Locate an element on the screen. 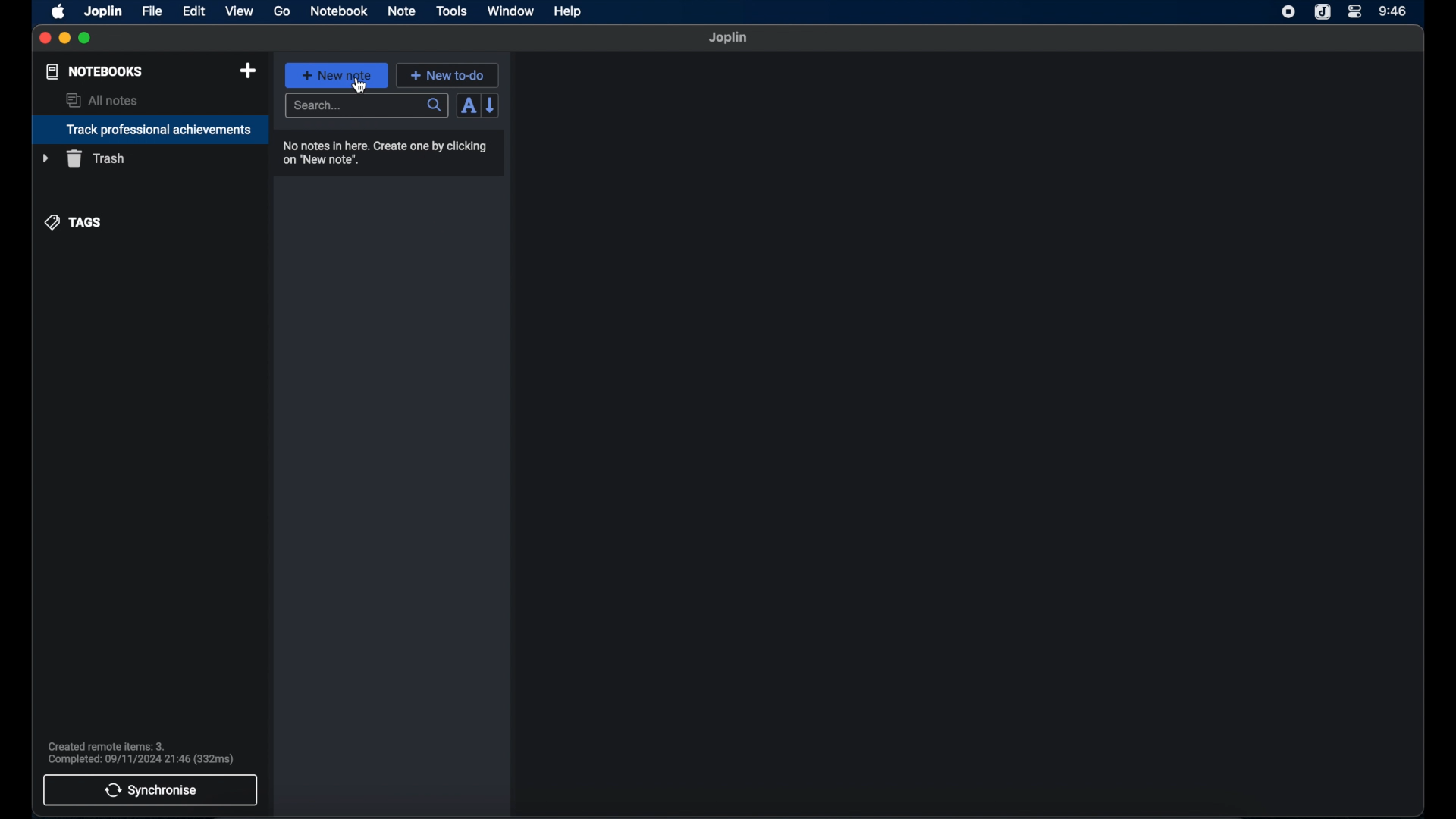  joplin is located at coordinates (729, 38).